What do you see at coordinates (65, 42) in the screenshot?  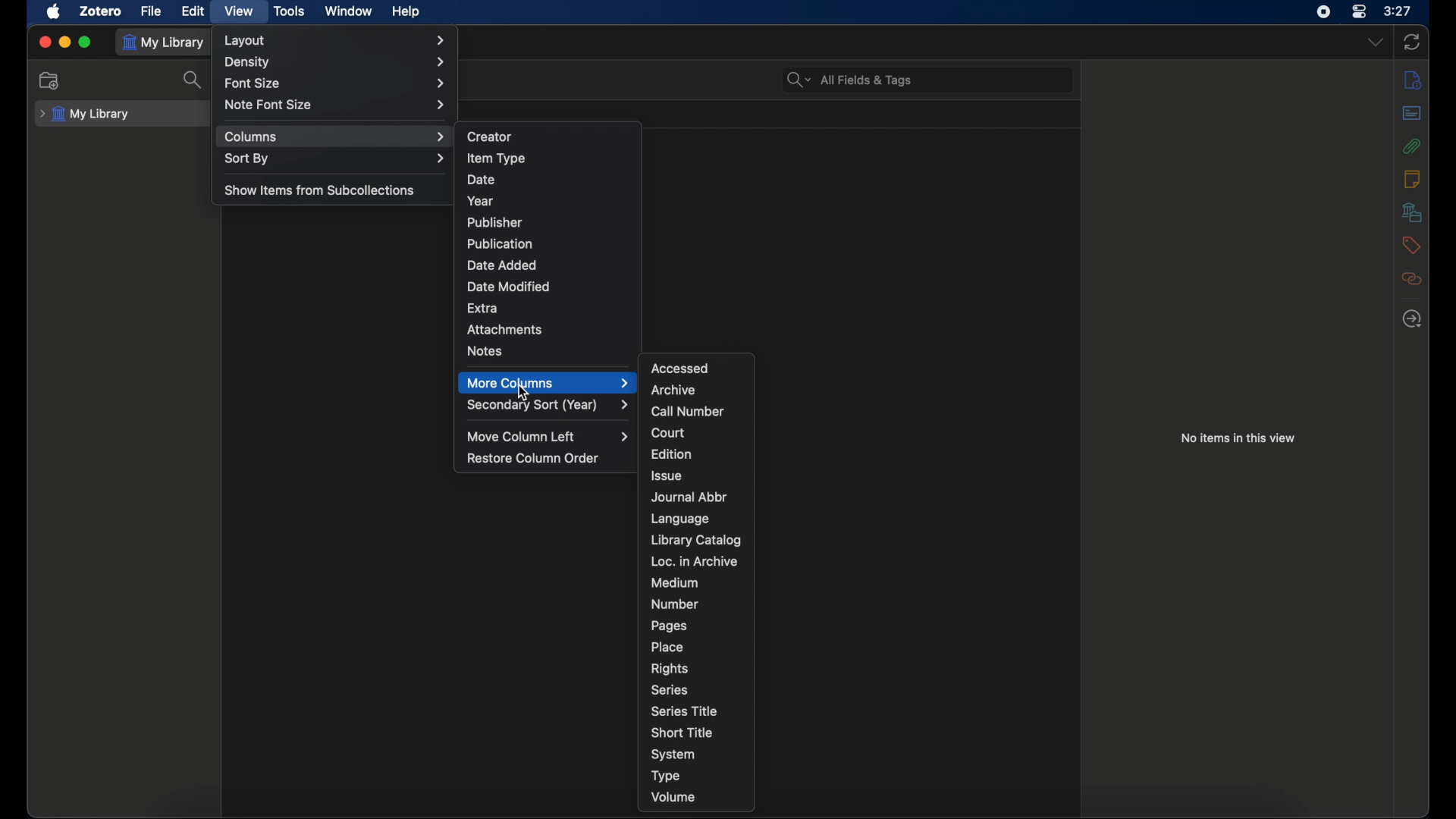 I see `minimize` at bounding box center [65, 42].